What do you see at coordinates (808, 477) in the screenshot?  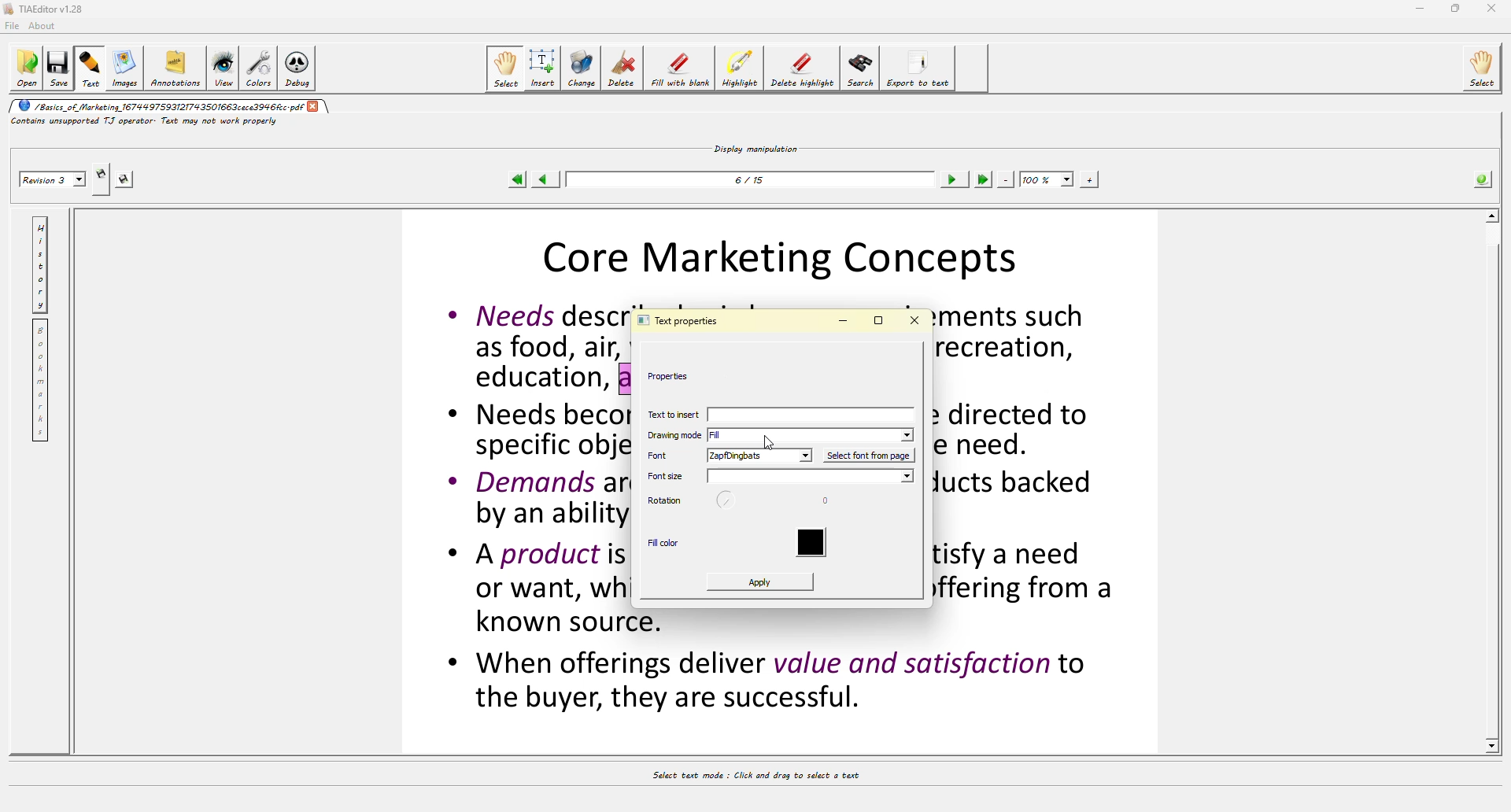 I see `font size` at bounding box center [808, 477].